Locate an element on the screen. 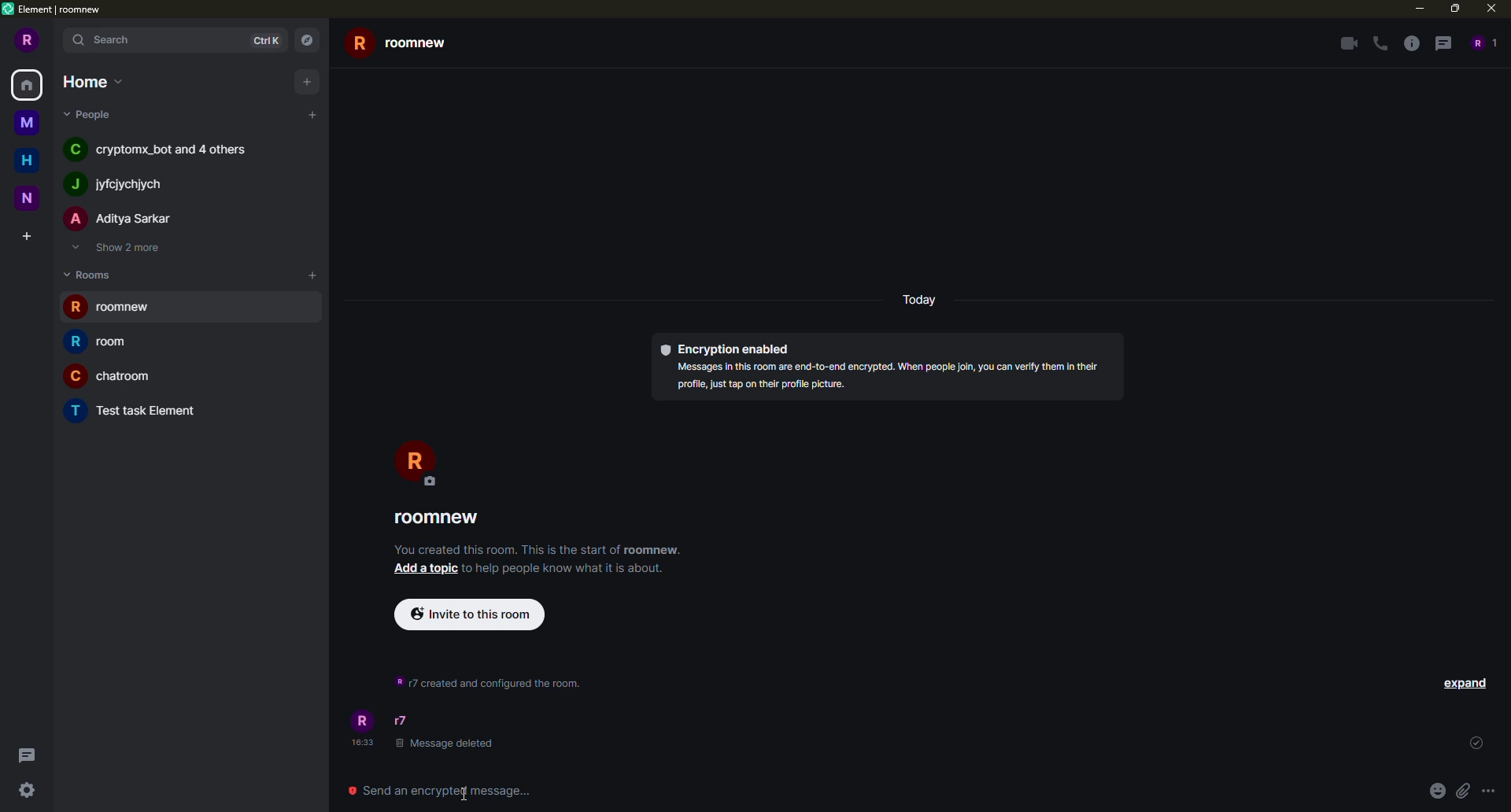 This screenshot has width=1511, height=812. day is located at coordinates (922, 300).